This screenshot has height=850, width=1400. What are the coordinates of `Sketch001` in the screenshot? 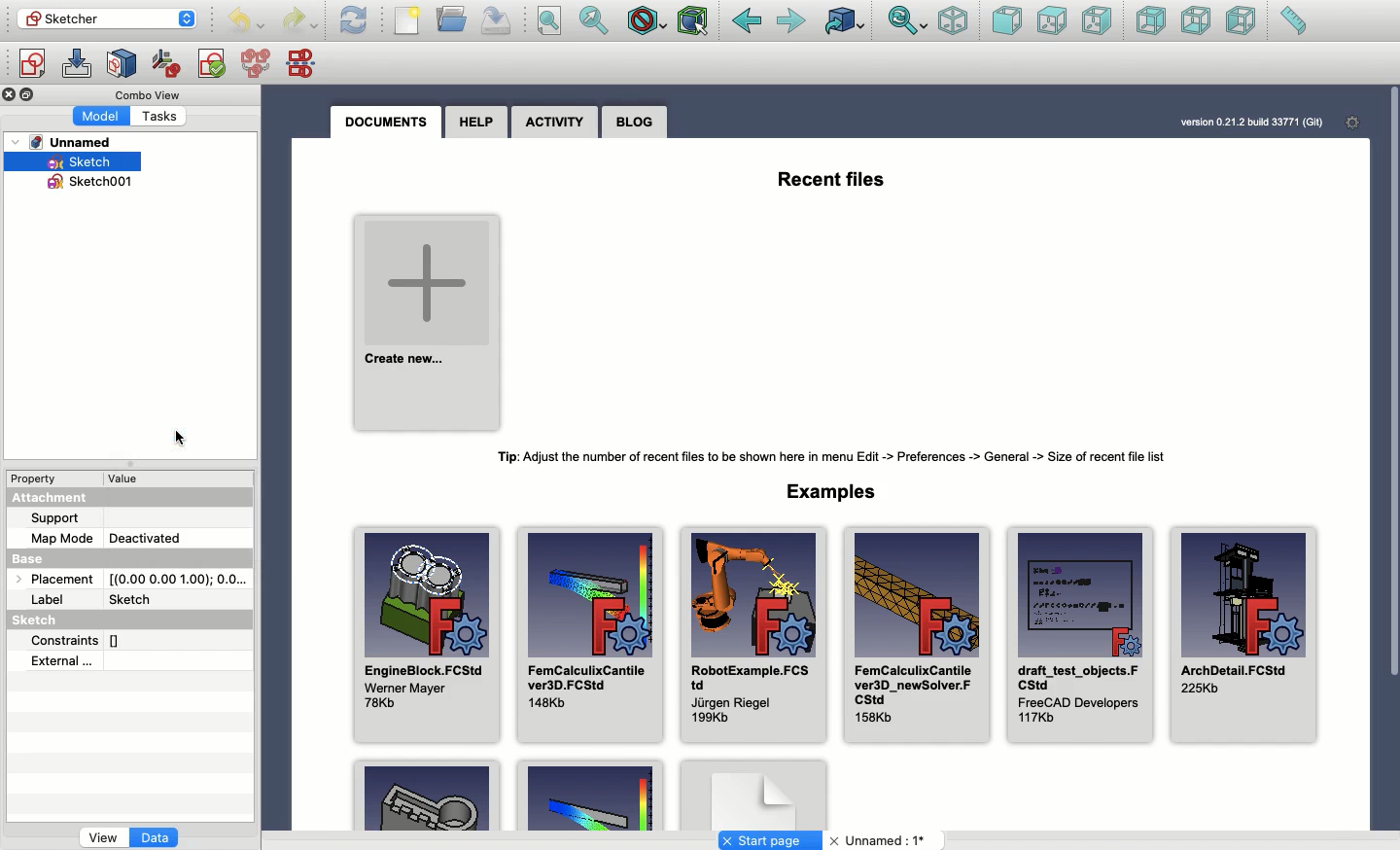 It's located at (100, 185).